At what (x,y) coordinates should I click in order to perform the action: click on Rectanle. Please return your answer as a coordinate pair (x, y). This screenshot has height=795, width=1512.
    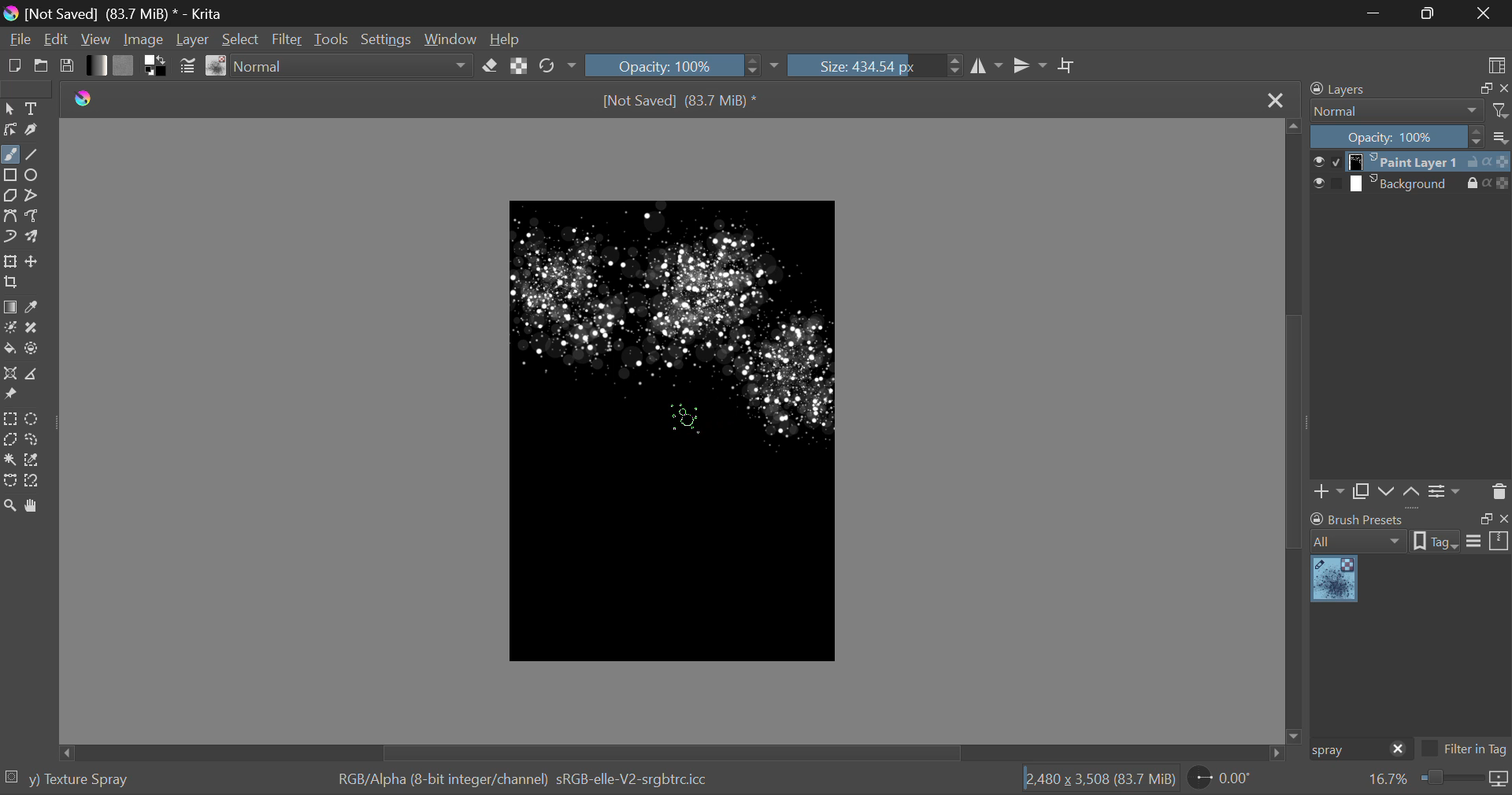
    Looking at the image, I should click on (10, 176).